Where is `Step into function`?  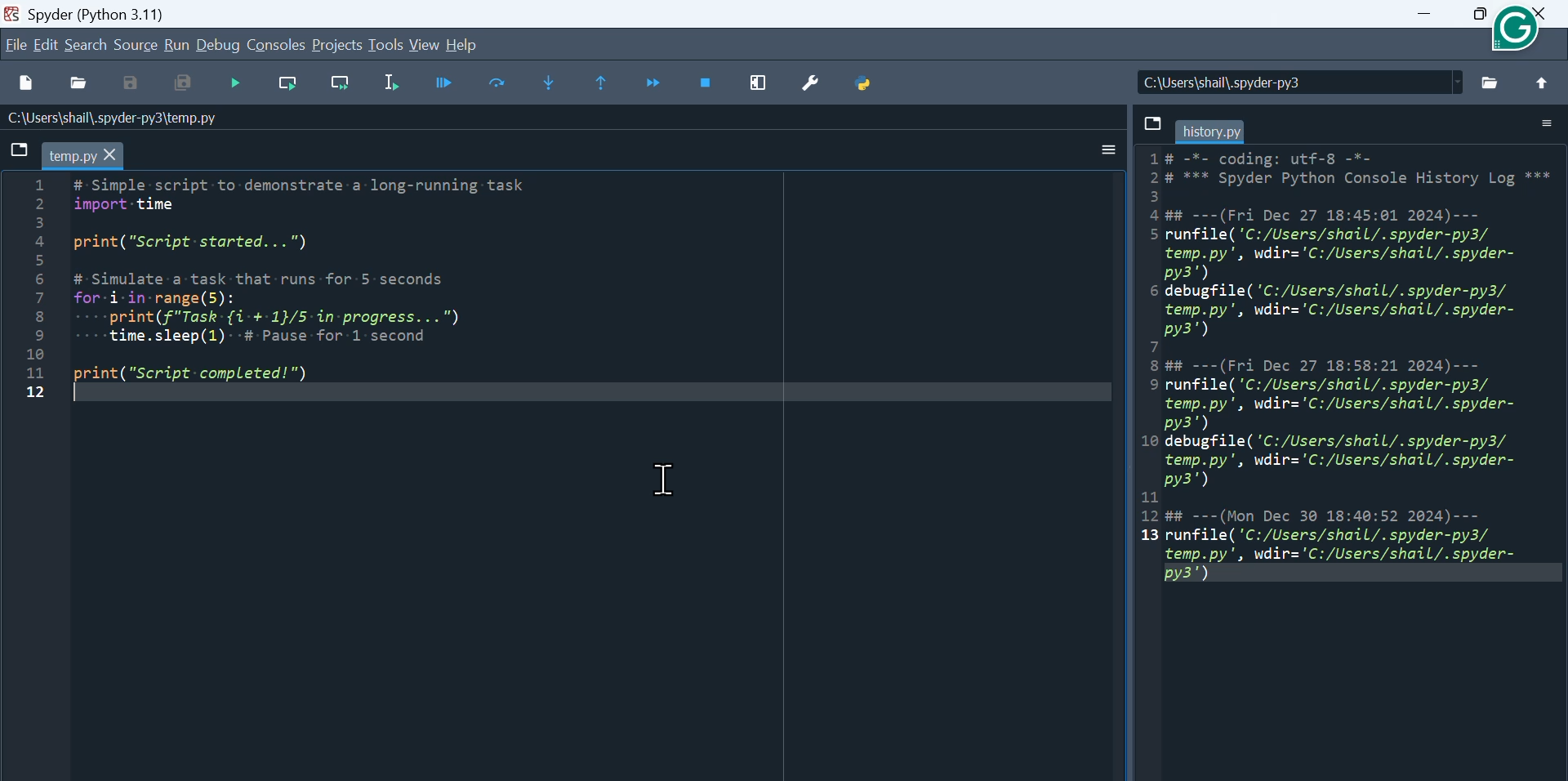 Step into function is located at coordinates (550, 79).